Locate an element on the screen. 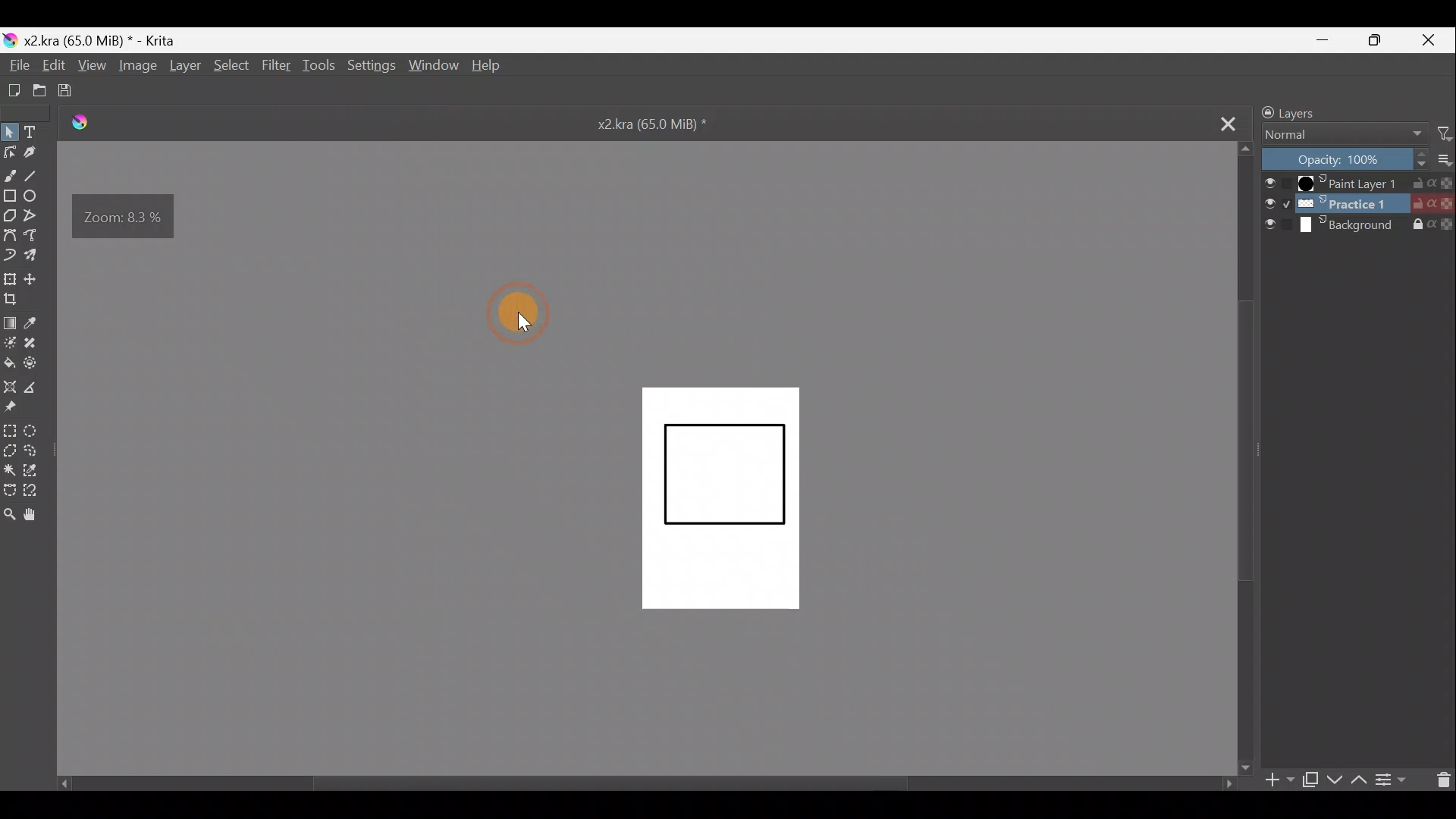 The width and height of the screenshot is (1456, 819). Select shapes tool is located at coordinates (11, 131).